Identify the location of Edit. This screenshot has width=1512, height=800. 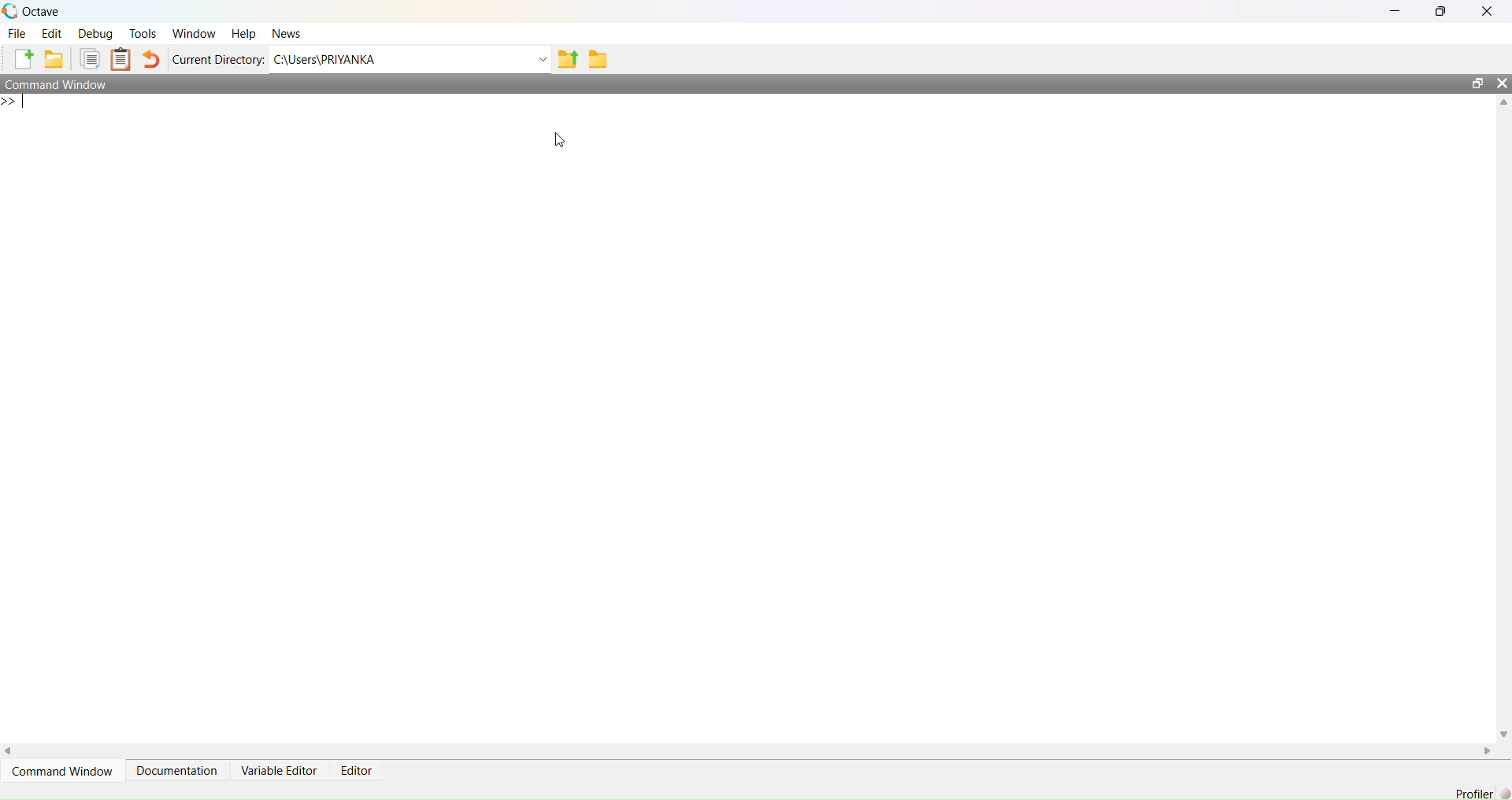
(52, 33).